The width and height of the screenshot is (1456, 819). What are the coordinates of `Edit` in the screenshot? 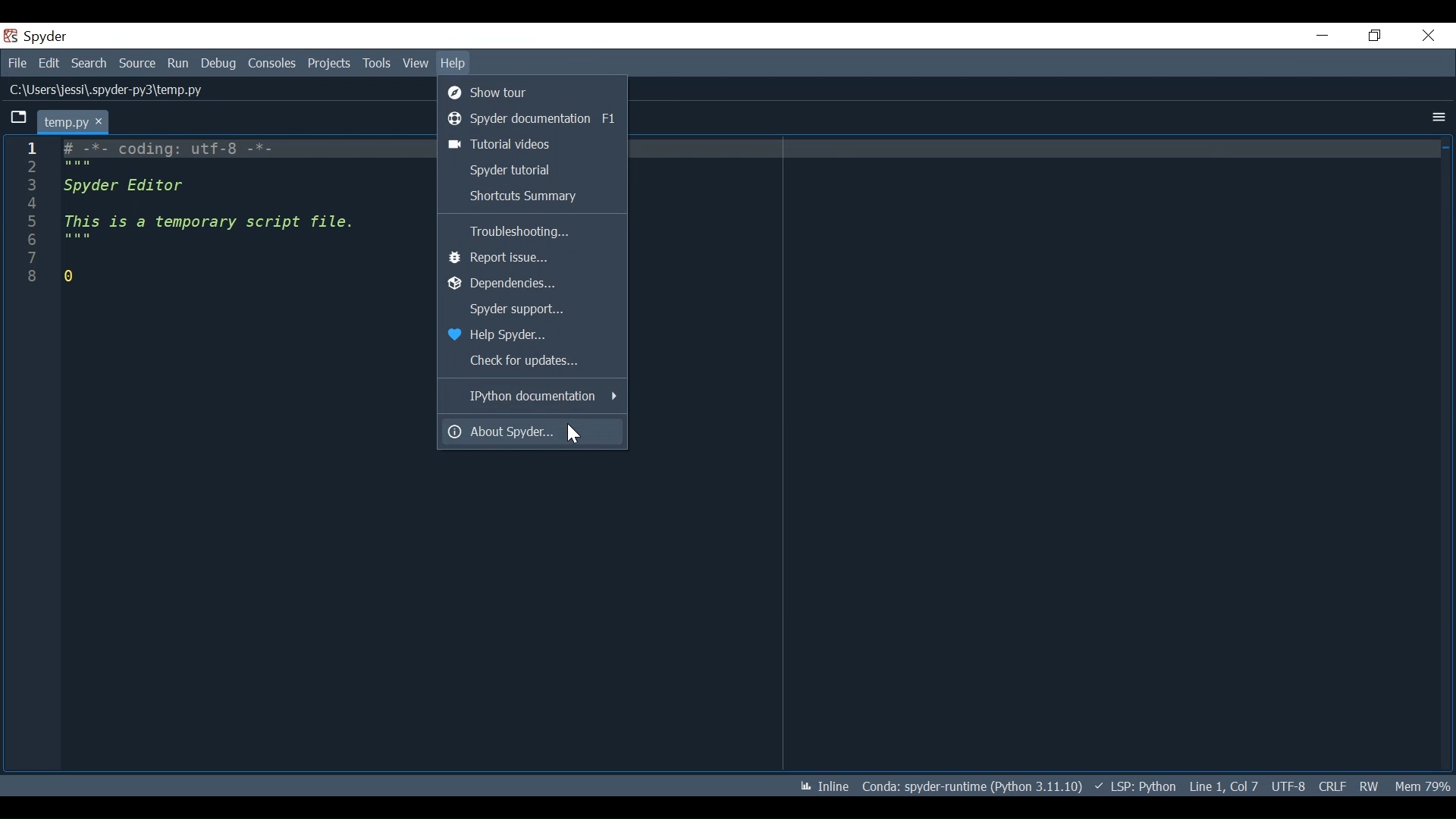 It's located at (49, 62).